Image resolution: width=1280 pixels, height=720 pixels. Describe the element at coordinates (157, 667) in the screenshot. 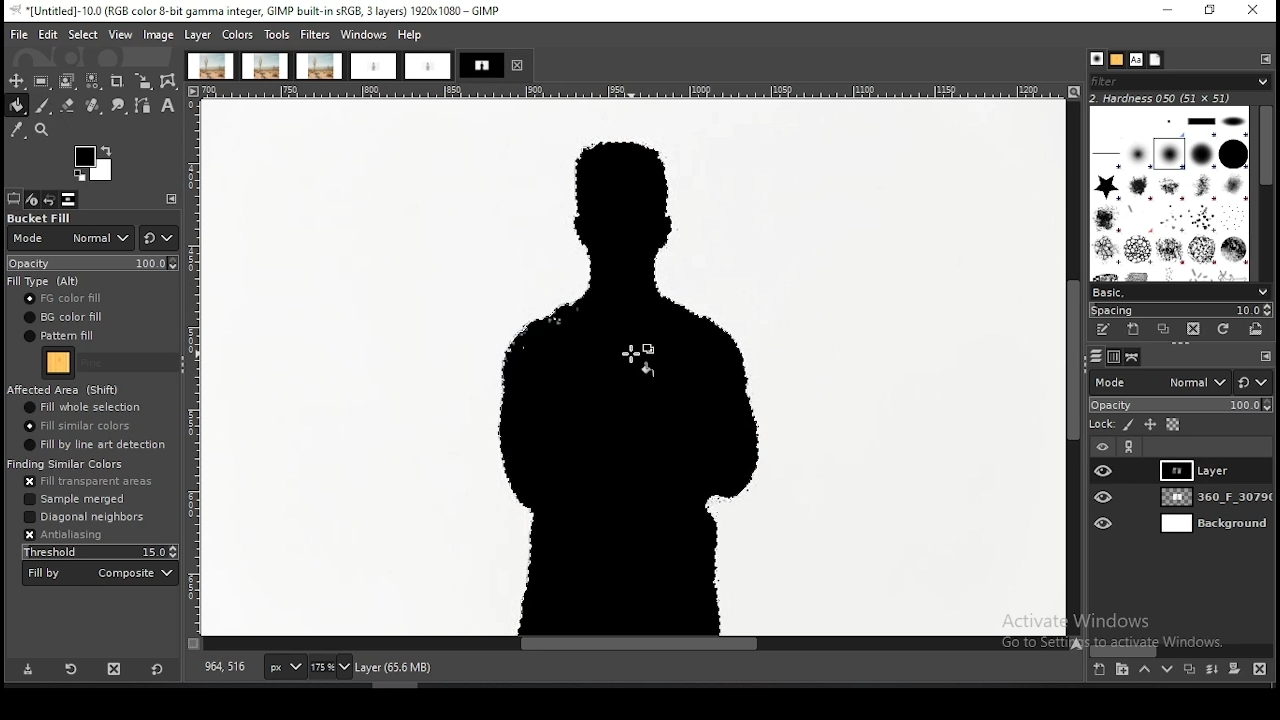

I see `reset` at that location.